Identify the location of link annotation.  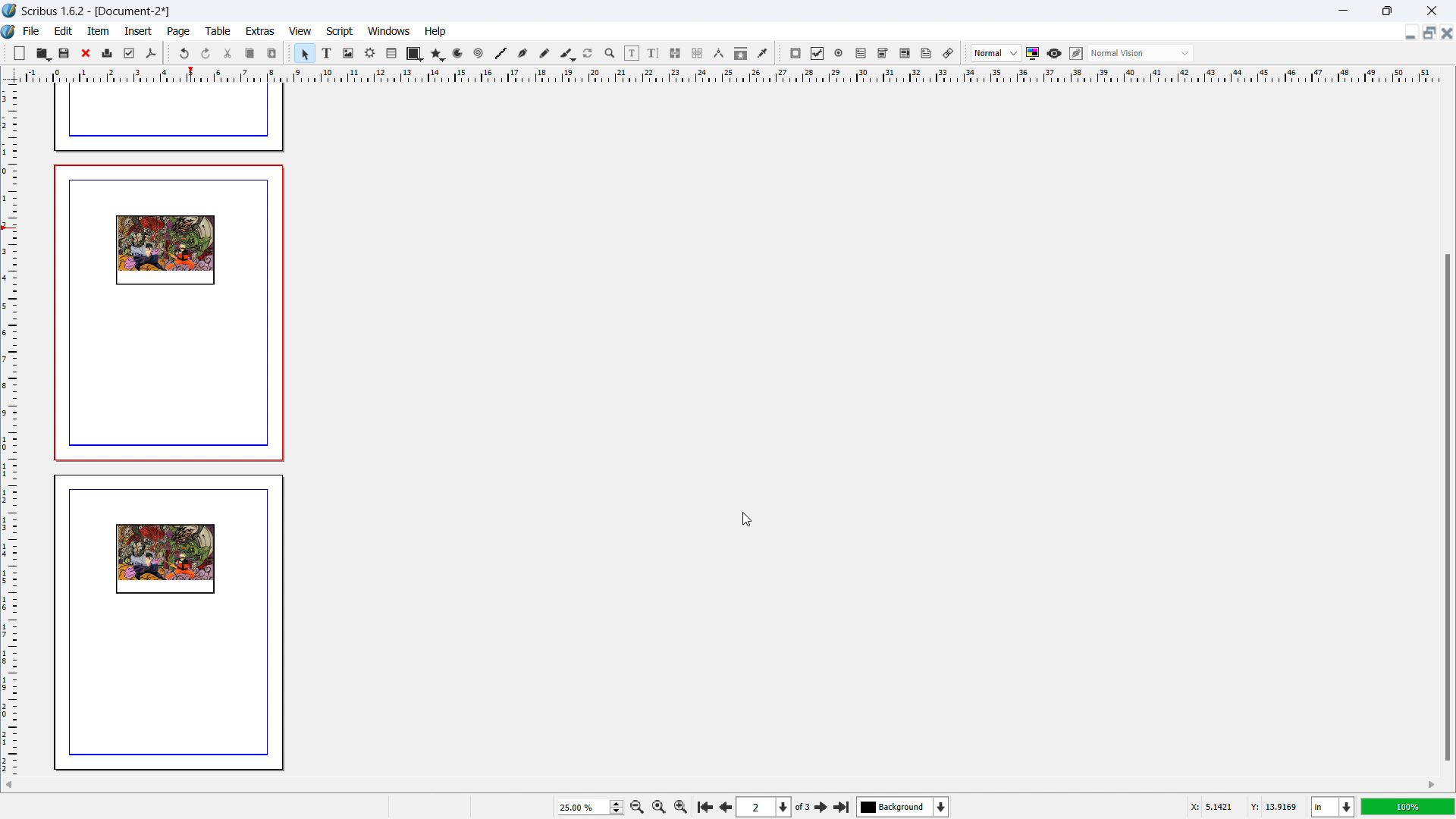
(949, 53).